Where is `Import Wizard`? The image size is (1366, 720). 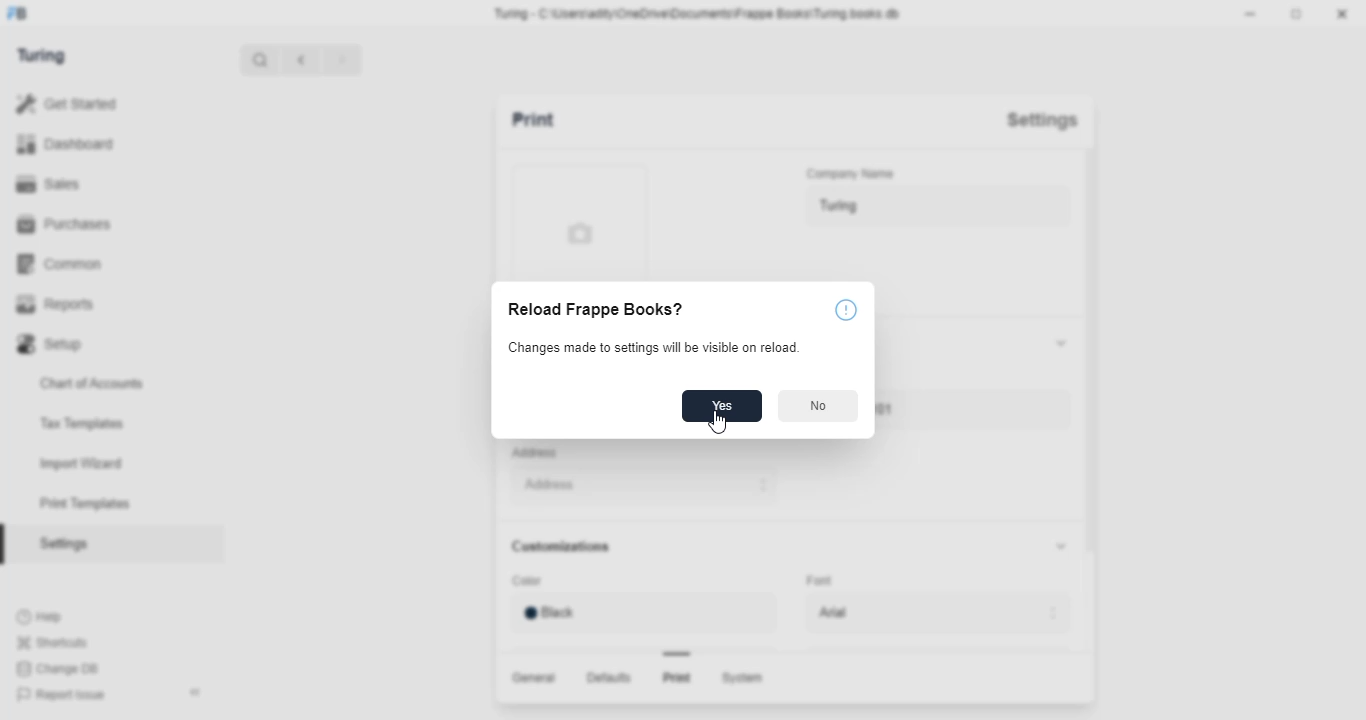
Import Wizard is located at coordinates (92, 463).